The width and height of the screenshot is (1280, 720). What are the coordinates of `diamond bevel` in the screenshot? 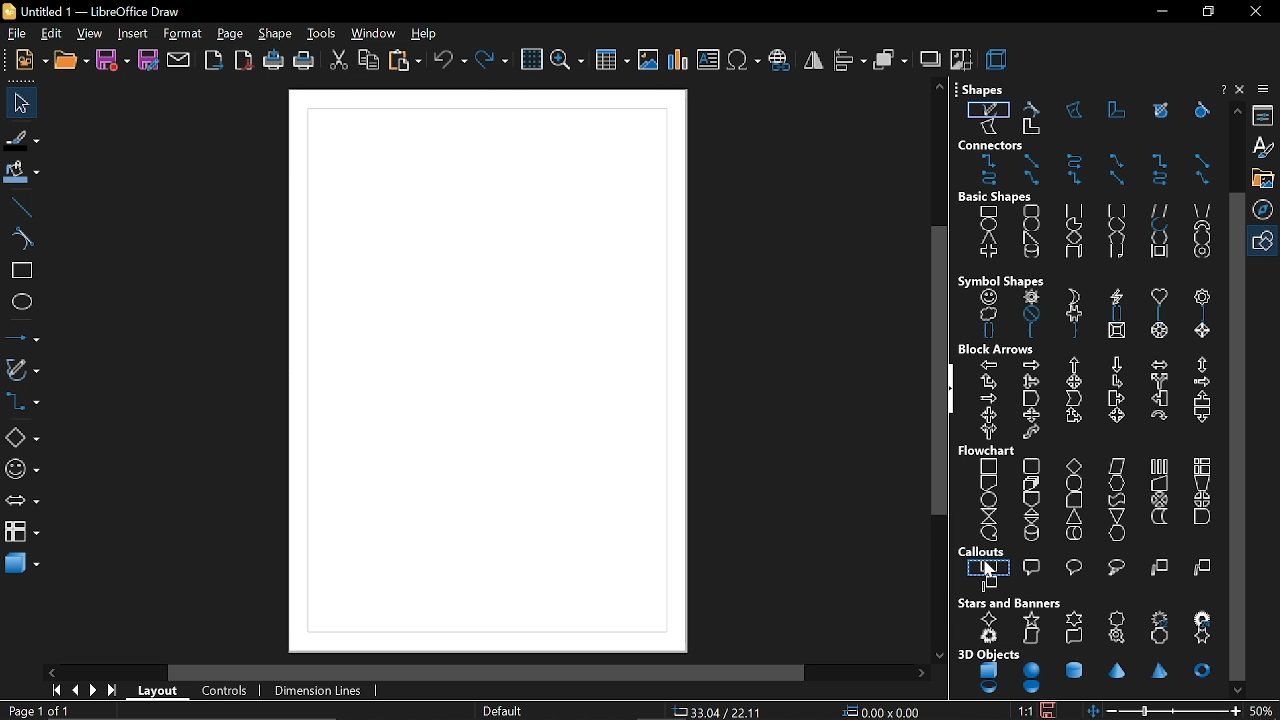 It's located at (1201, 332).